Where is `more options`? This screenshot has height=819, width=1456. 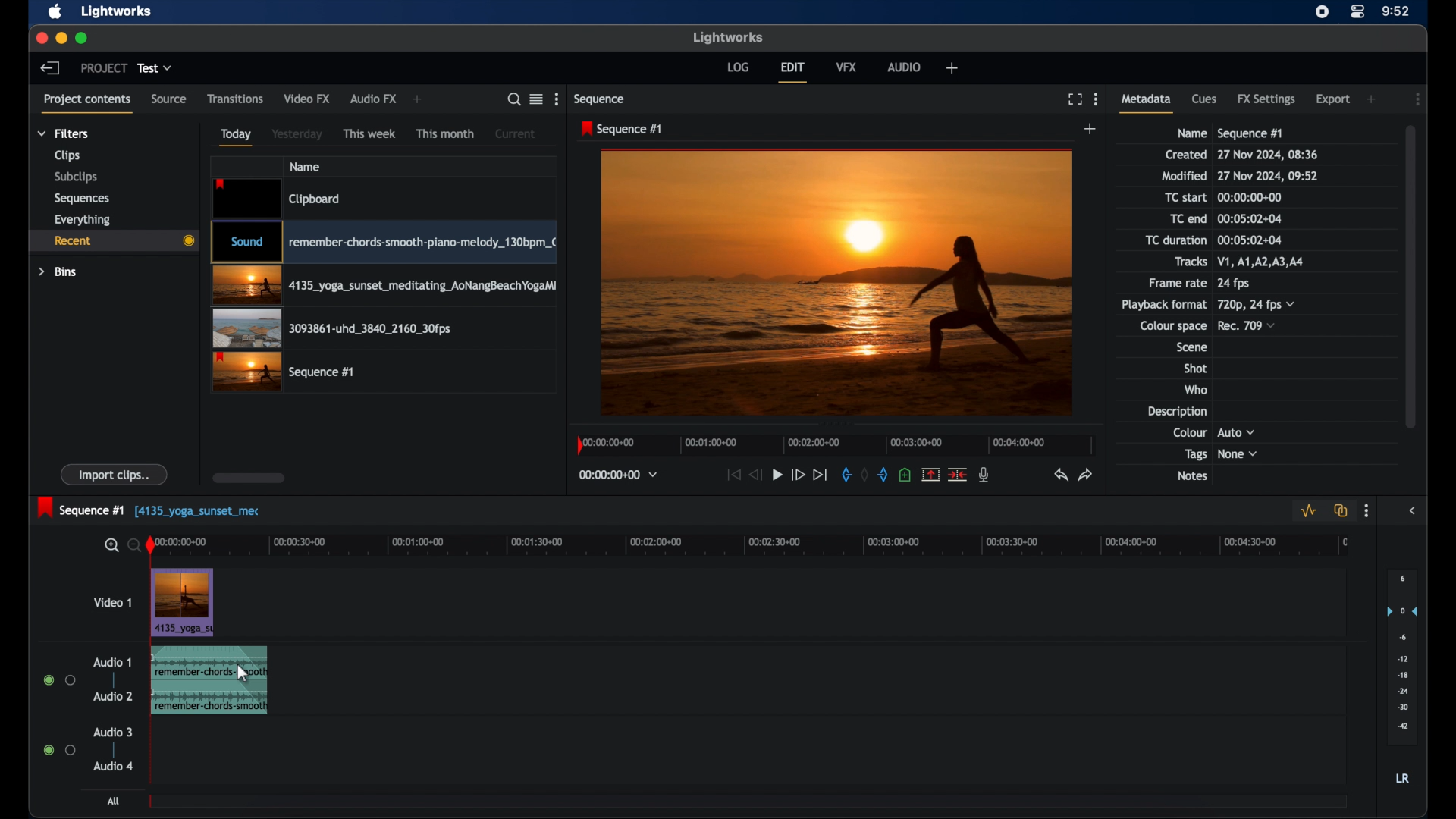 more options is located at coordinates (1097, 99).